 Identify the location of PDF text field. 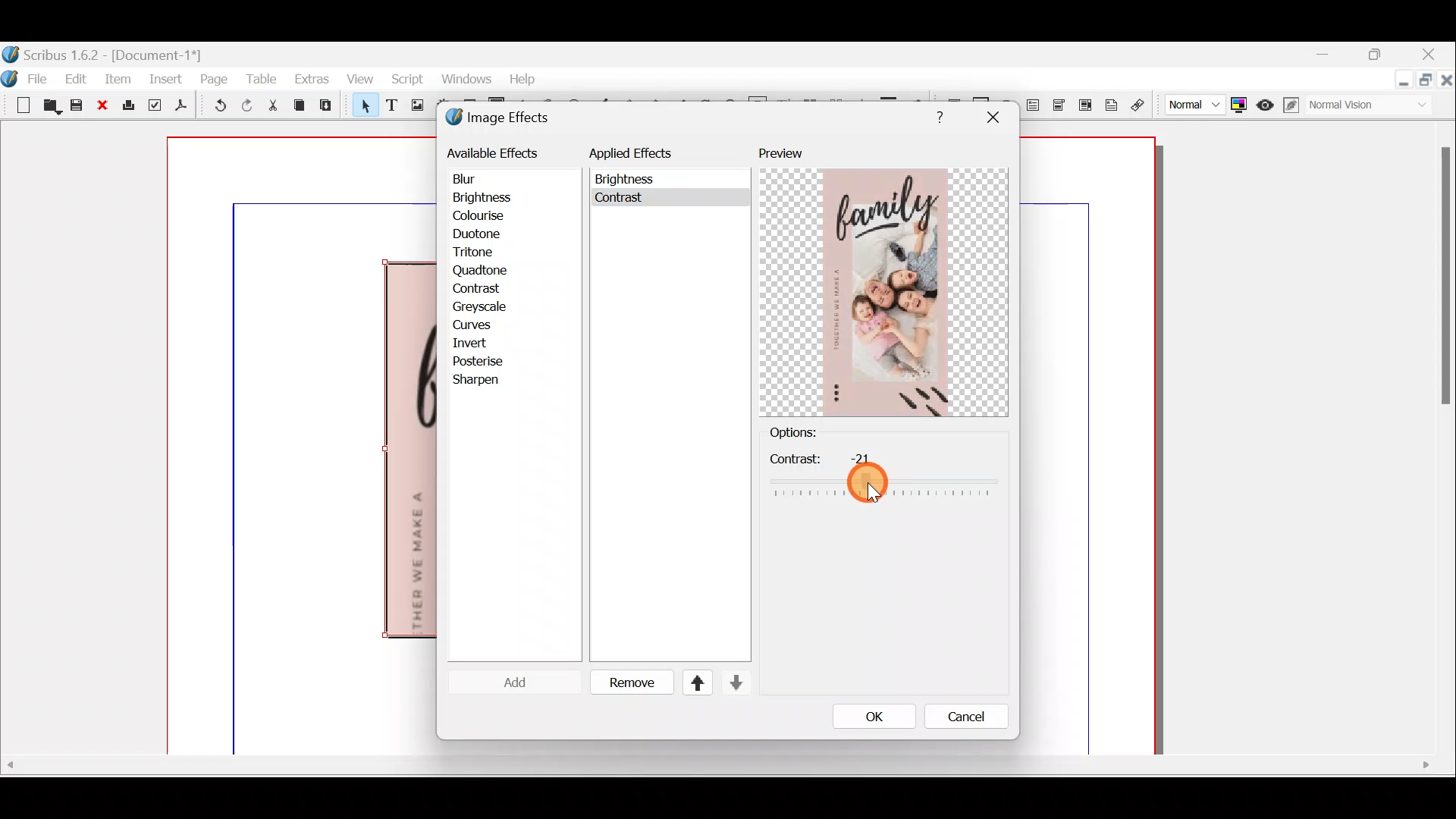
(1034, 105).